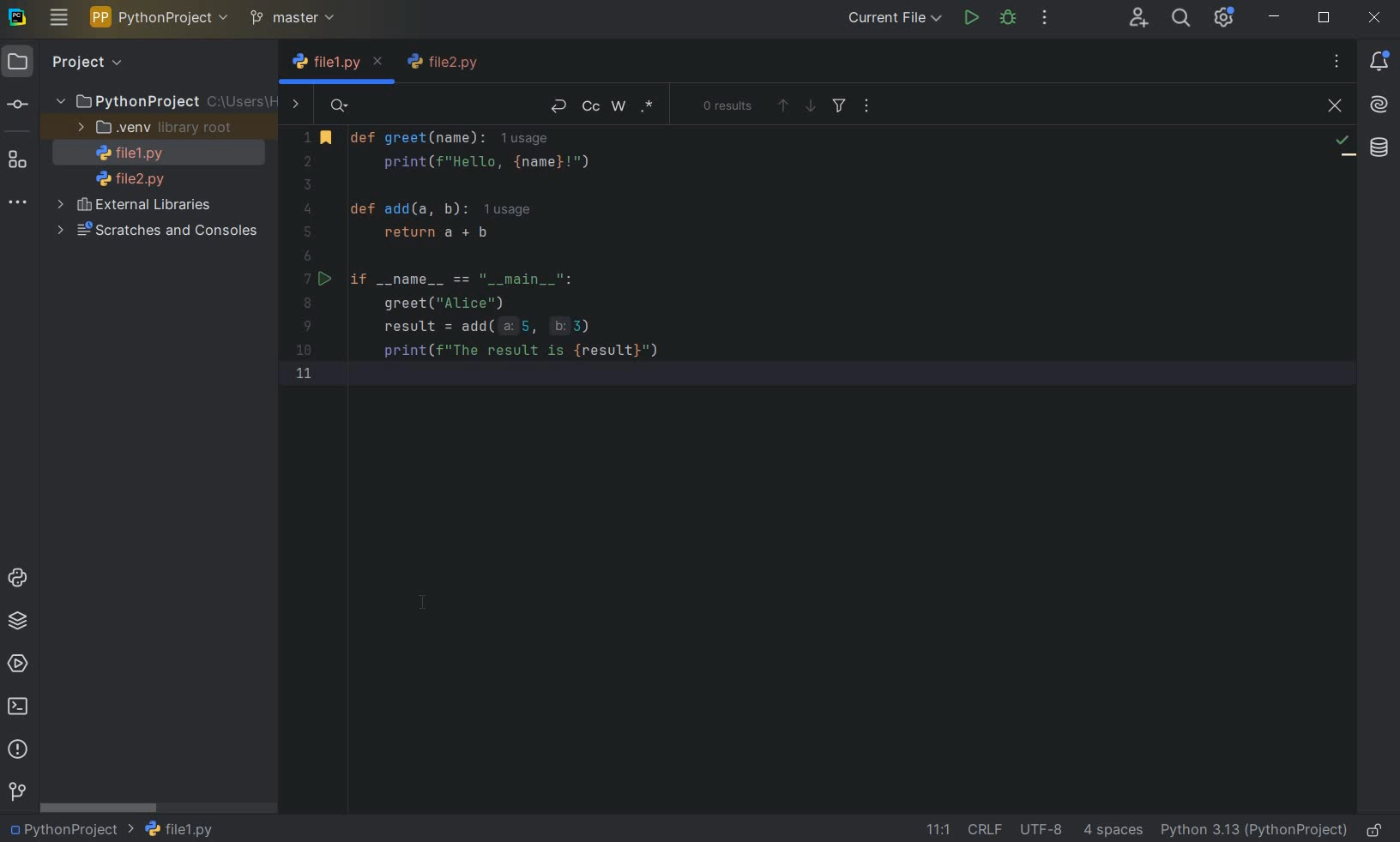  I want to click on NOTIFICATIONS, so click(1379, 62).